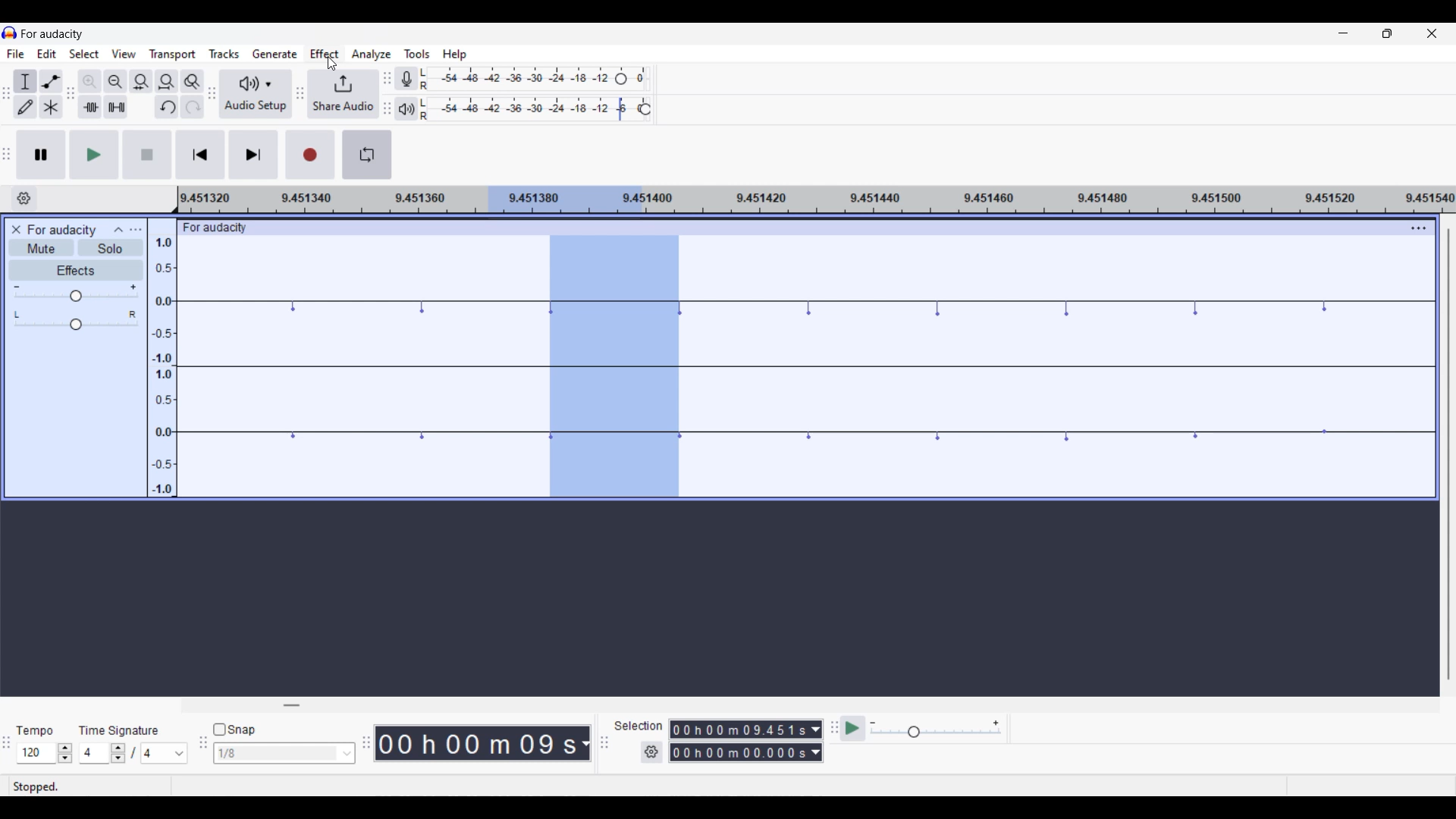  Describe the element at coordinates (148, 155) in the screenshot. I see `Stop` at that location.